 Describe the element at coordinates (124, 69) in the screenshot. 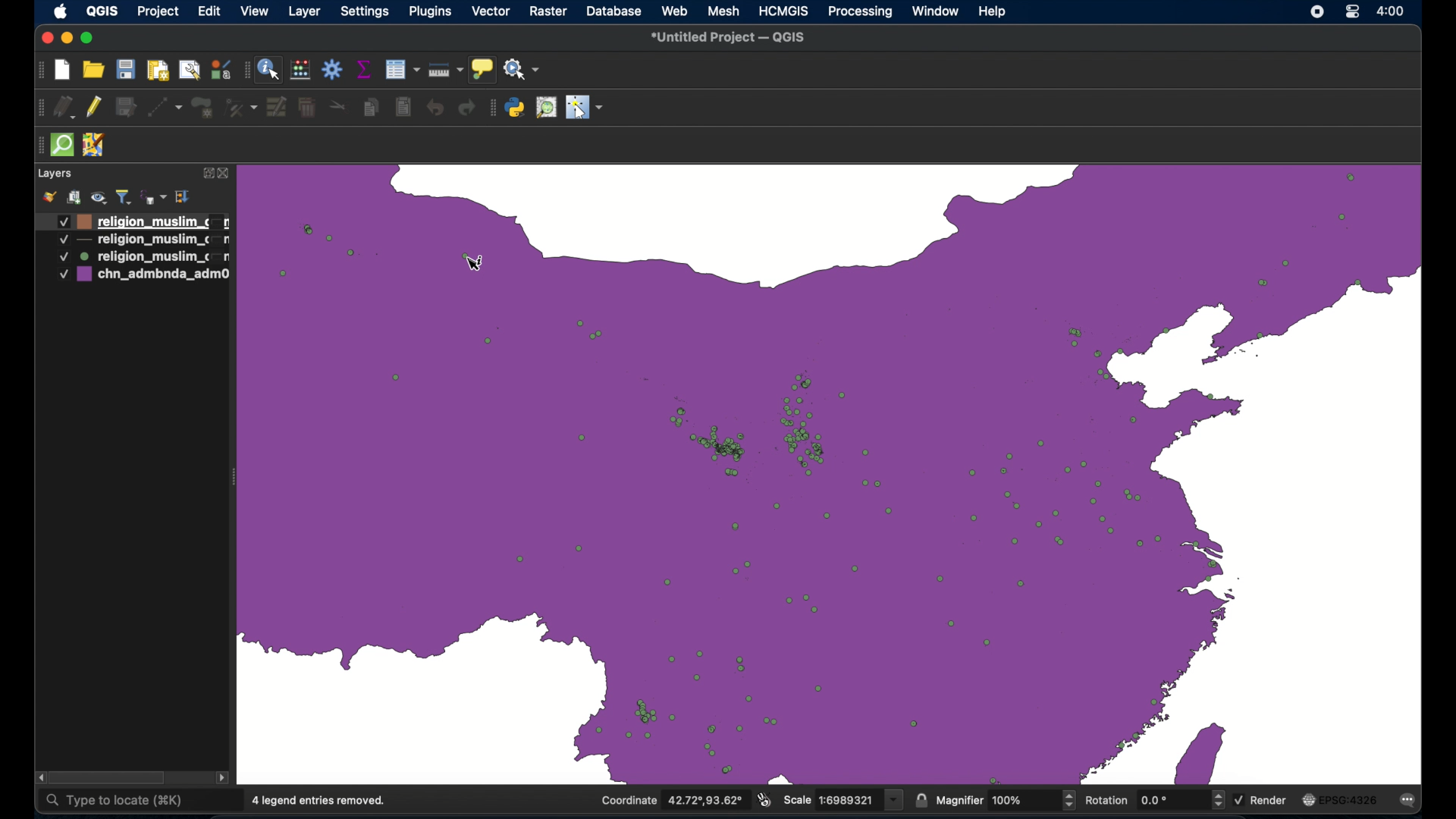

I see `save project ` at that location.